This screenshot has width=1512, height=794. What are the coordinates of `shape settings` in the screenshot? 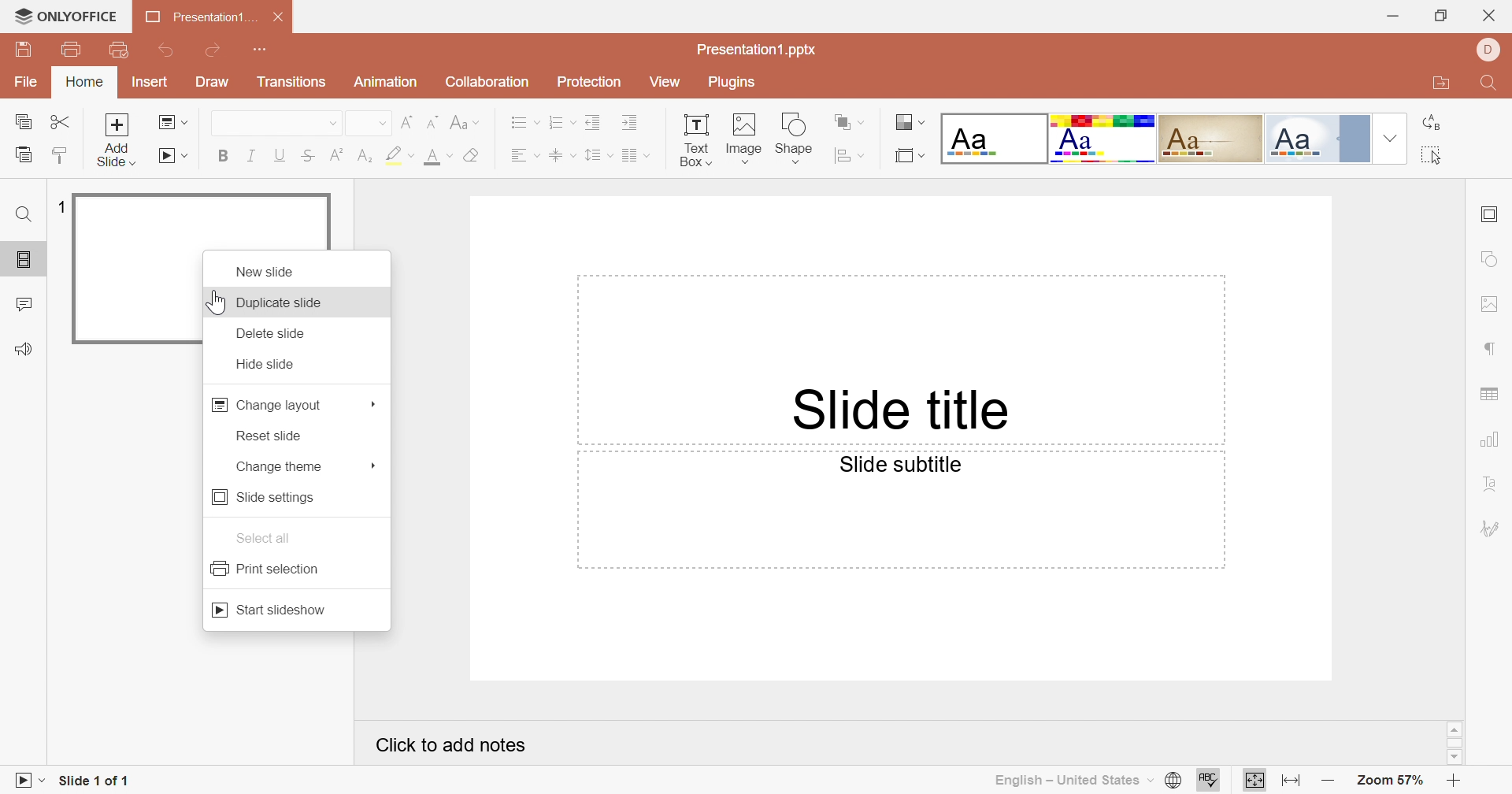 It's located at (1491, 260).